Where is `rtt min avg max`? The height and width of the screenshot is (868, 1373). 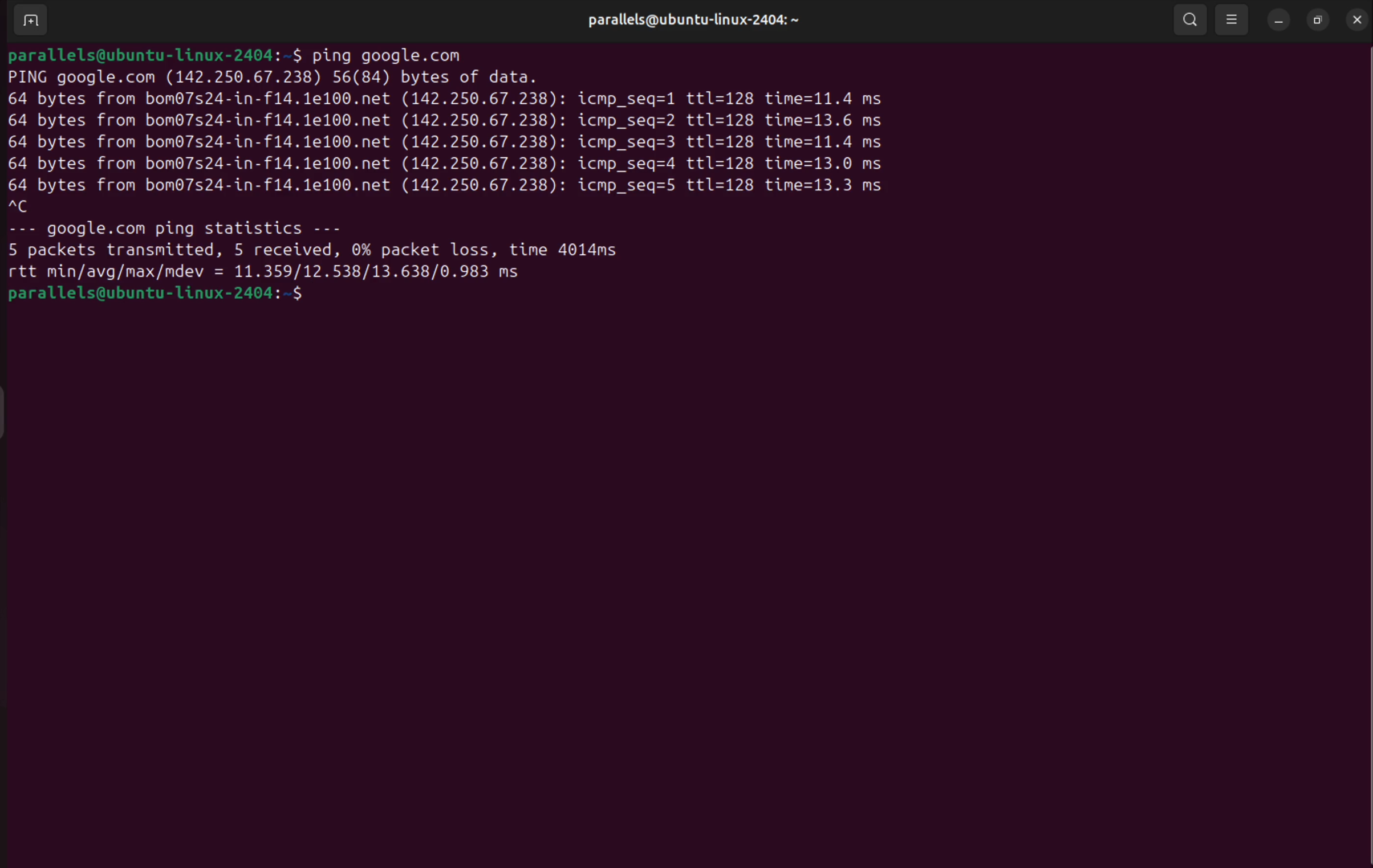
rtt min avg max is located at coordinates (105, 274).